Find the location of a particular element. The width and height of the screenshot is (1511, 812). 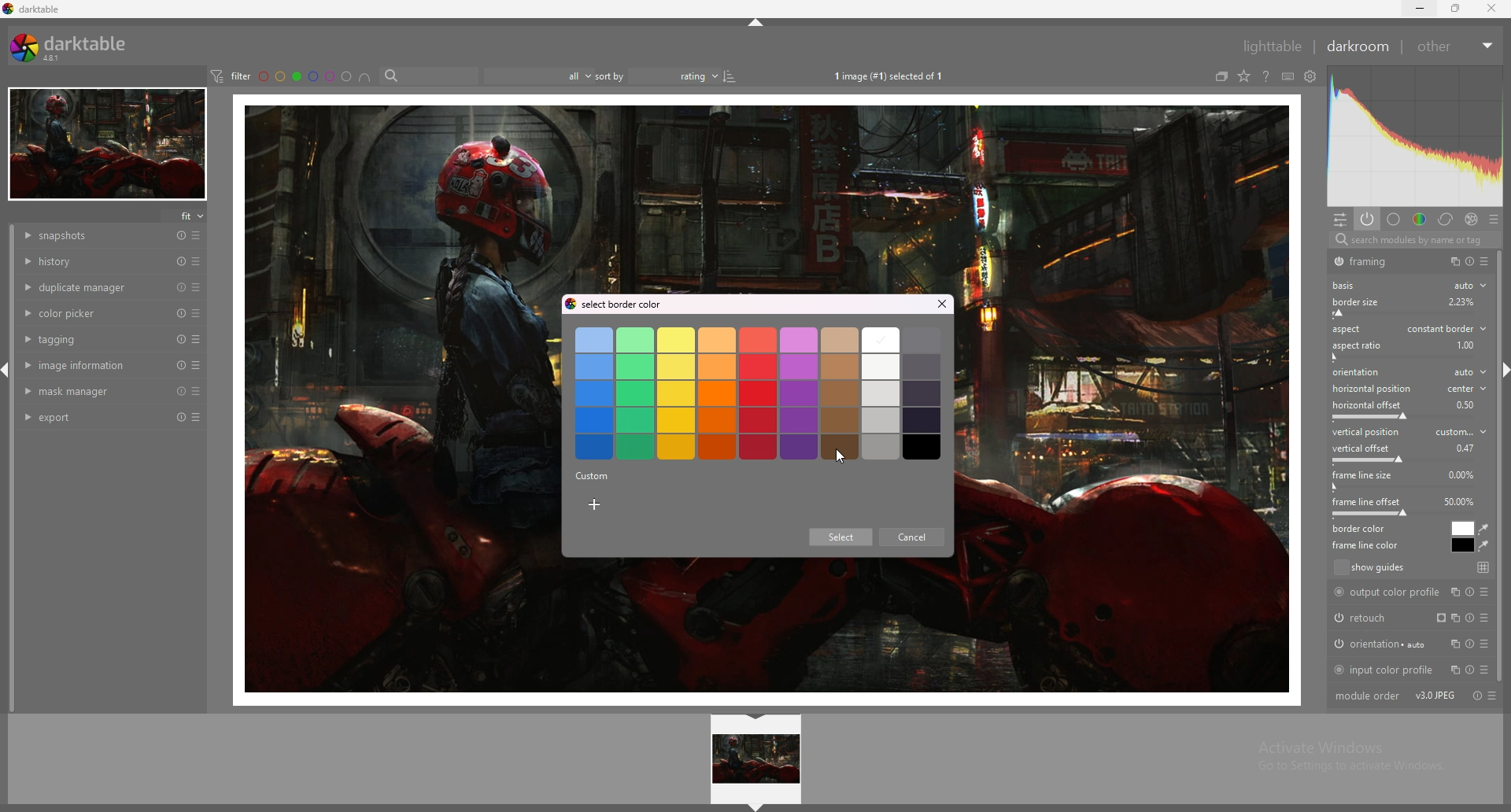

minimize is located at coordinates (1420, 7).